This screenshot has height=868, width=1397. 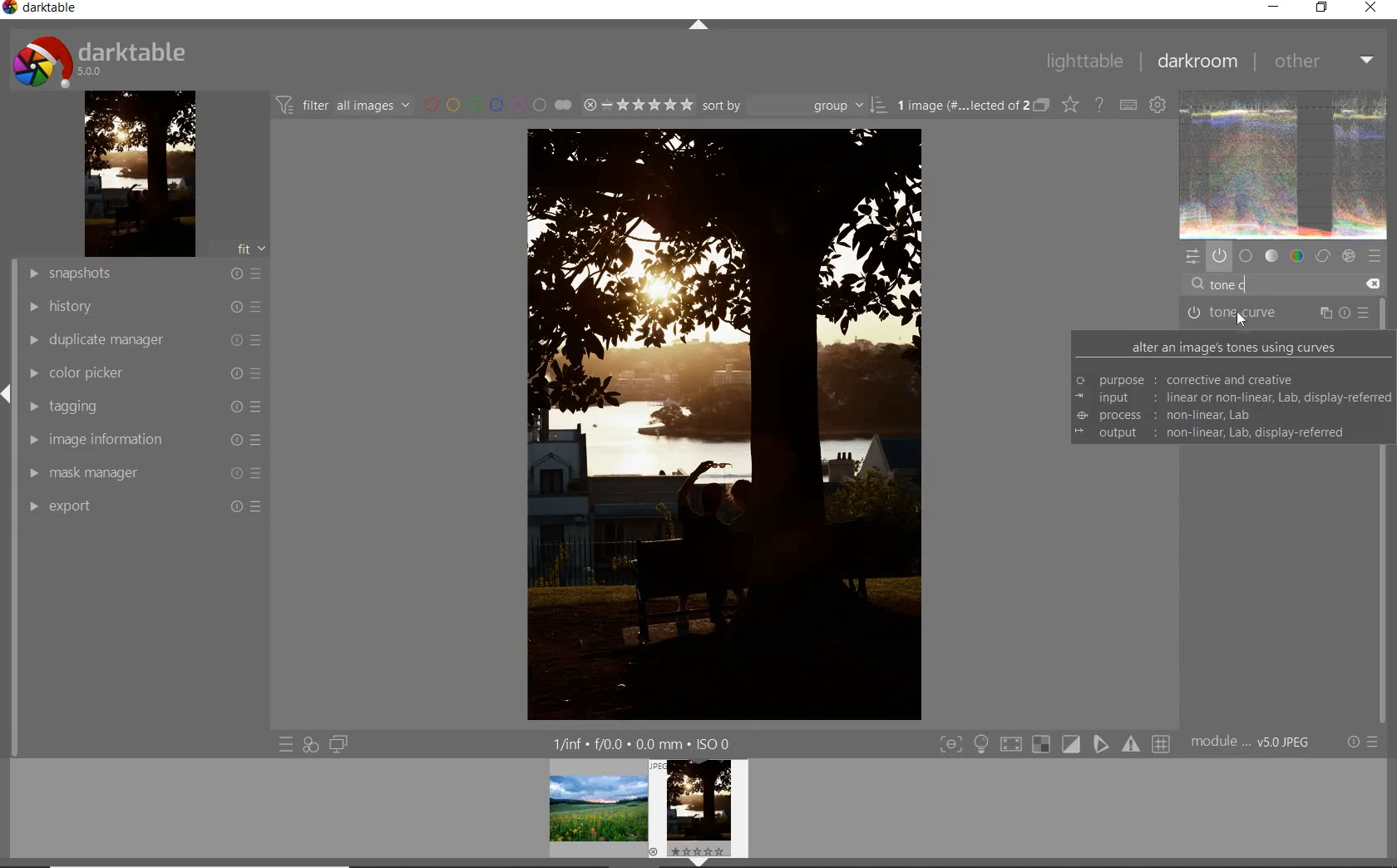 I want to click on color picker, so click(x=140, y=372).